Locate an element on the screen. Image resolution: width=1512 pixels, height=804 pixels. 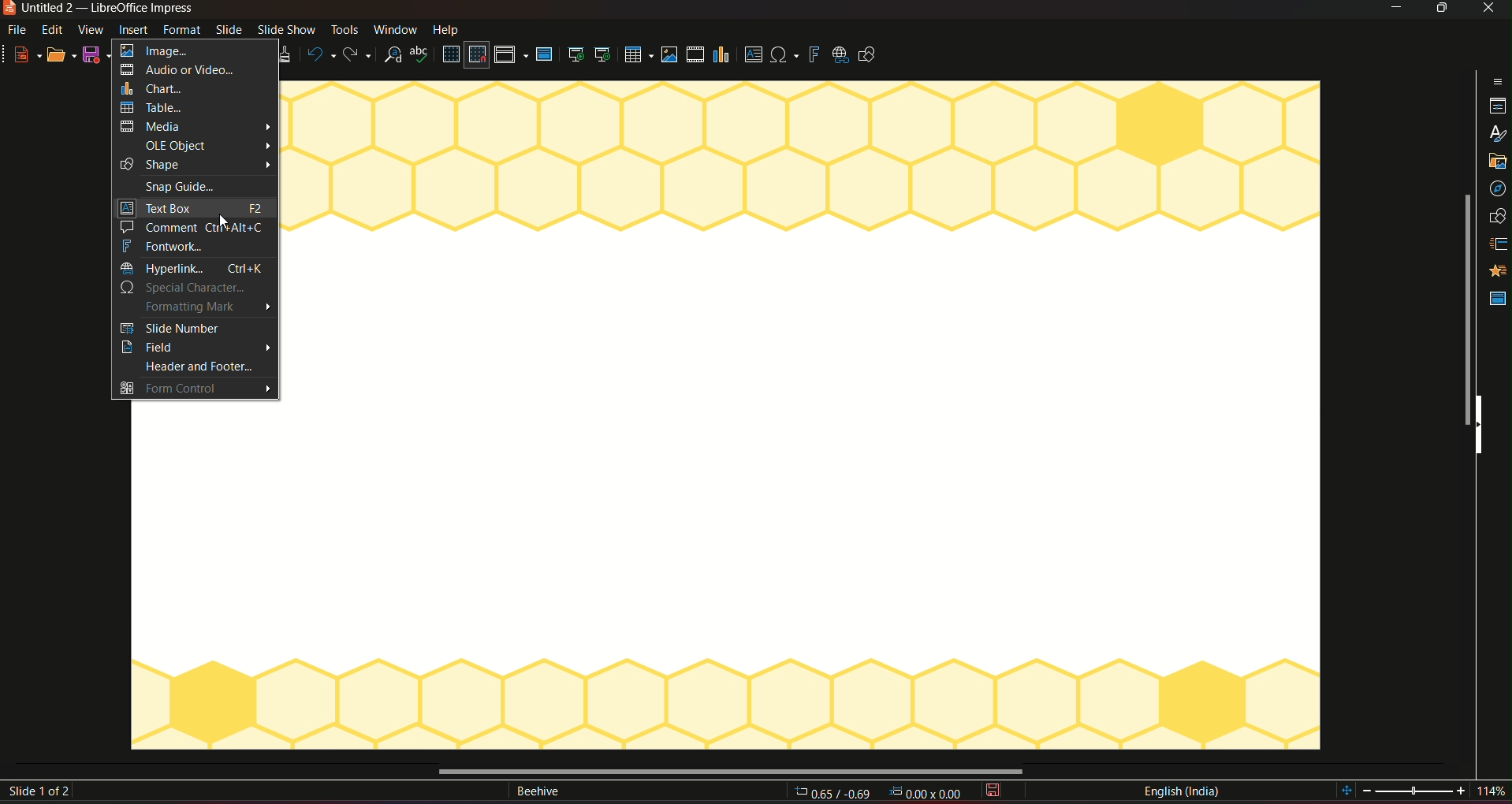
table is located at coordinates (193, 108).